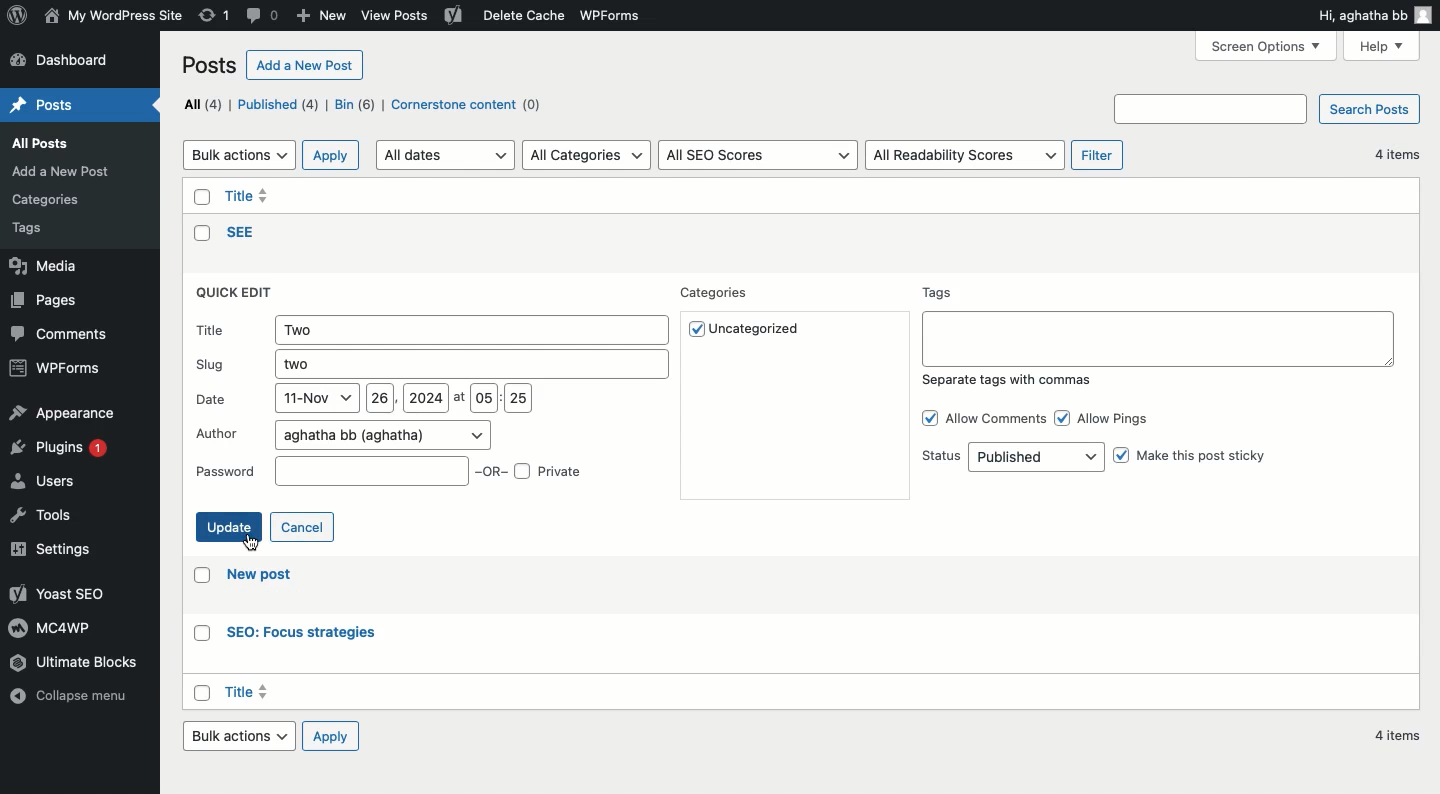  What do you see at coordinates (1110, 416) in the screenshot?
I see `Allow pings` at bounding box center [1110, 416].